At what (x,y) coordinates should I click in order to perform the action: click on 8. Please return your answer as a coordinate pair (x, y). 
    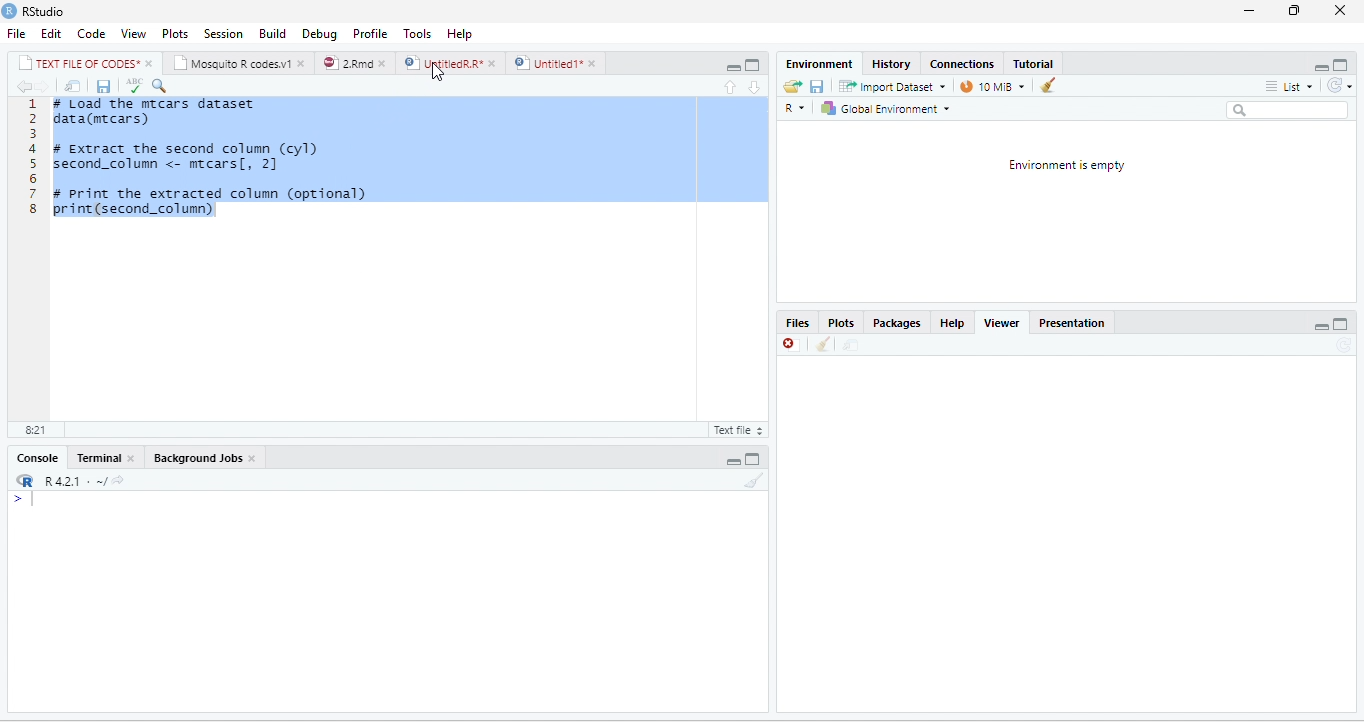
    Looking at the image, I should click on (32, 209).